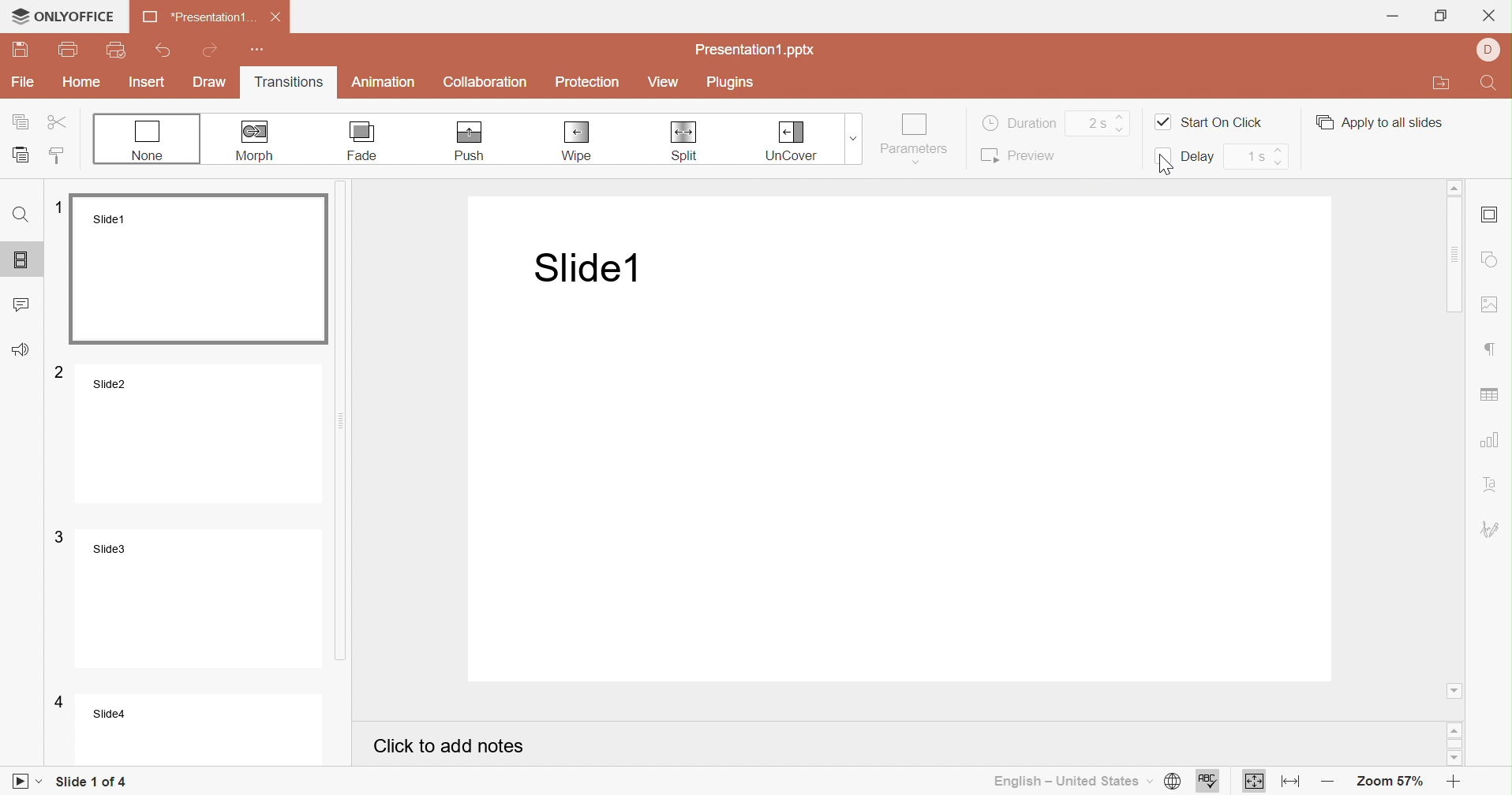 The image size is (1512, 795). Describe the element at coordinates (1071, 782) in the screenshot. I see `English - United States` at that location.